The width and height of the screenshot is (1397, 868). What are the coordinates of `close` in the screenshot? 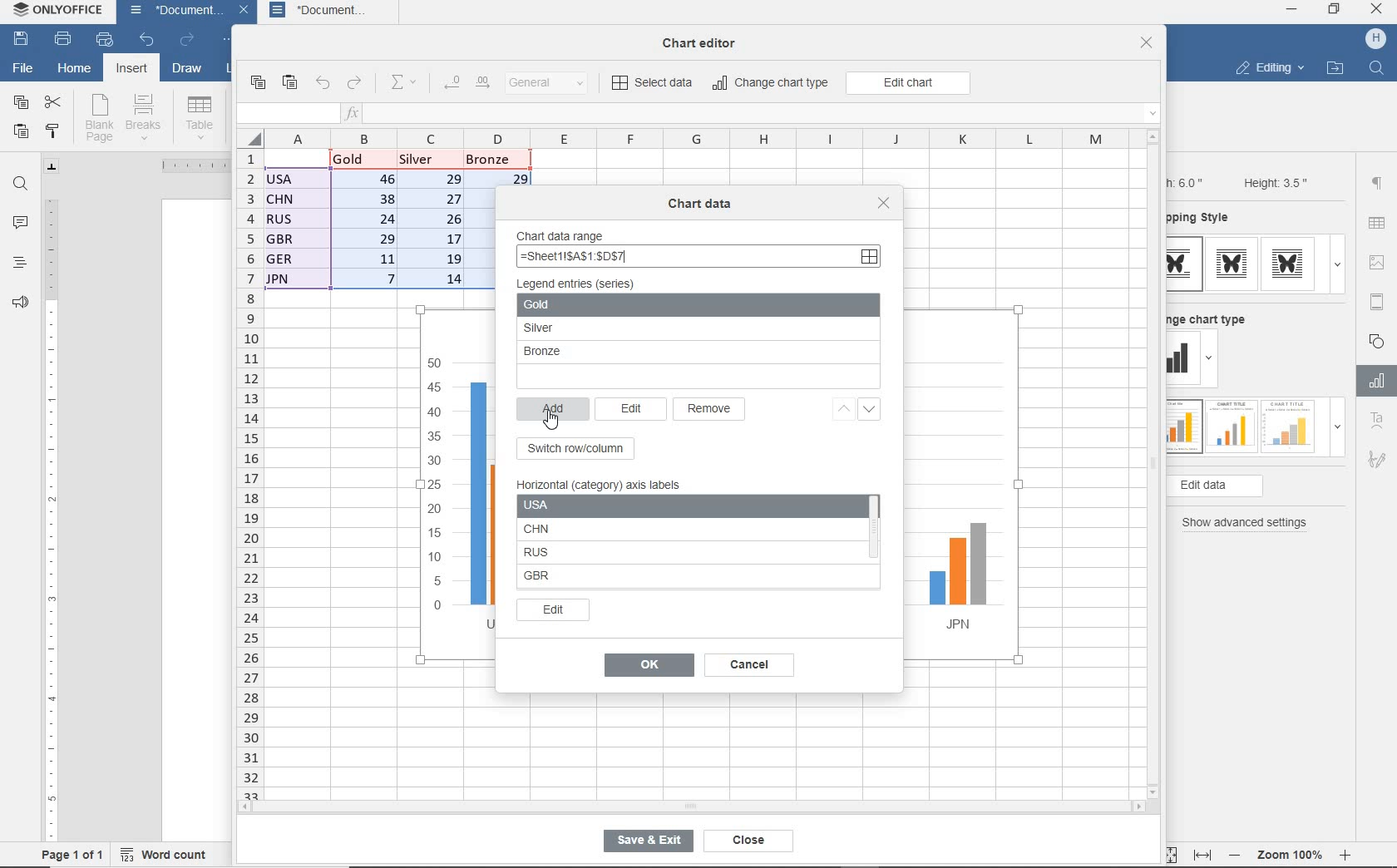 It's located at (1147, 44).